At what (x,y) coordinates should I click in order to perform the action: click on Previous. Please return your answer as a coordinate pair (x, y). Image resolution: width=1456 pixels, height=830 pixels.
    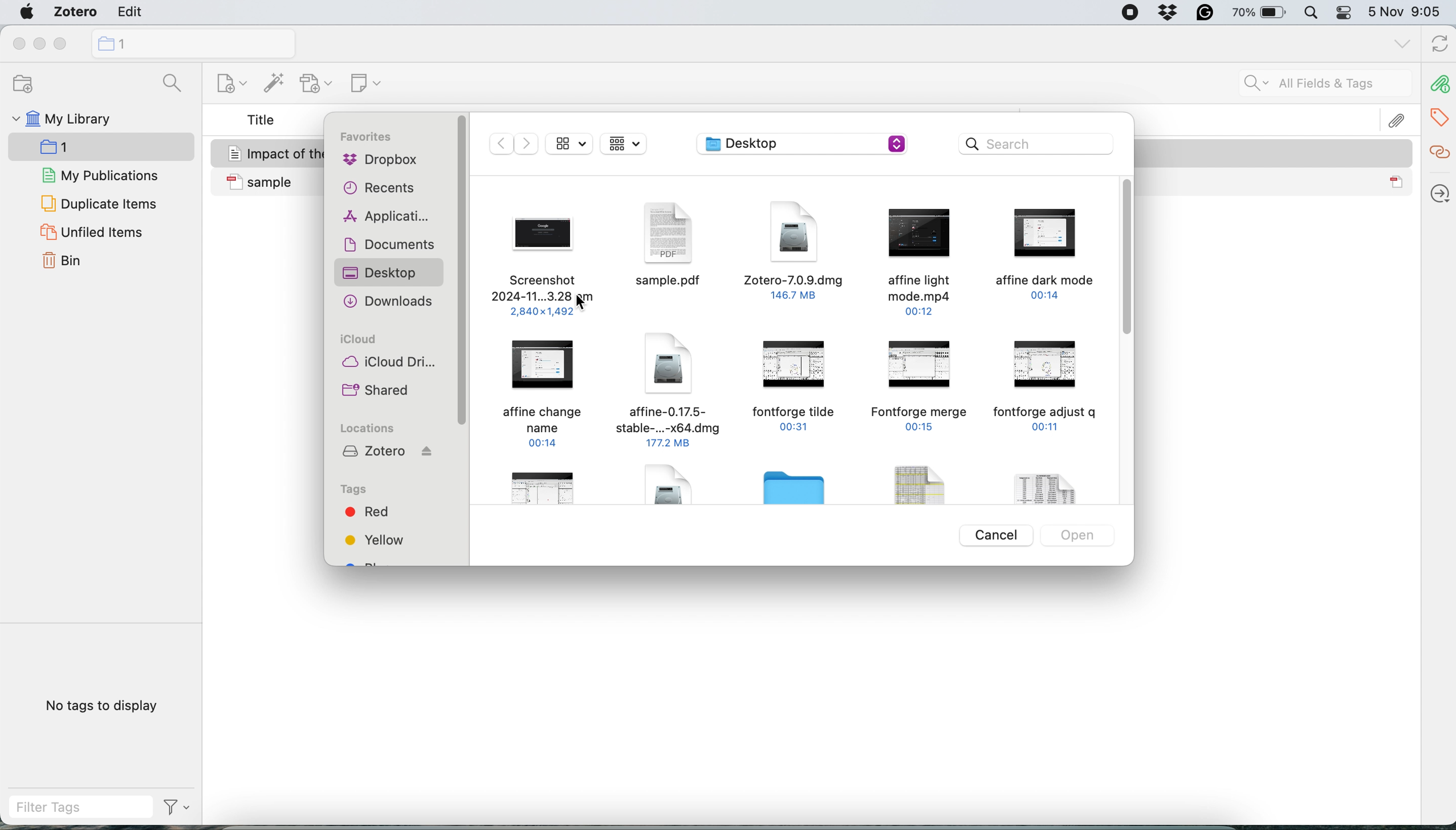
    Looking at the image, I should click on (497, 143).